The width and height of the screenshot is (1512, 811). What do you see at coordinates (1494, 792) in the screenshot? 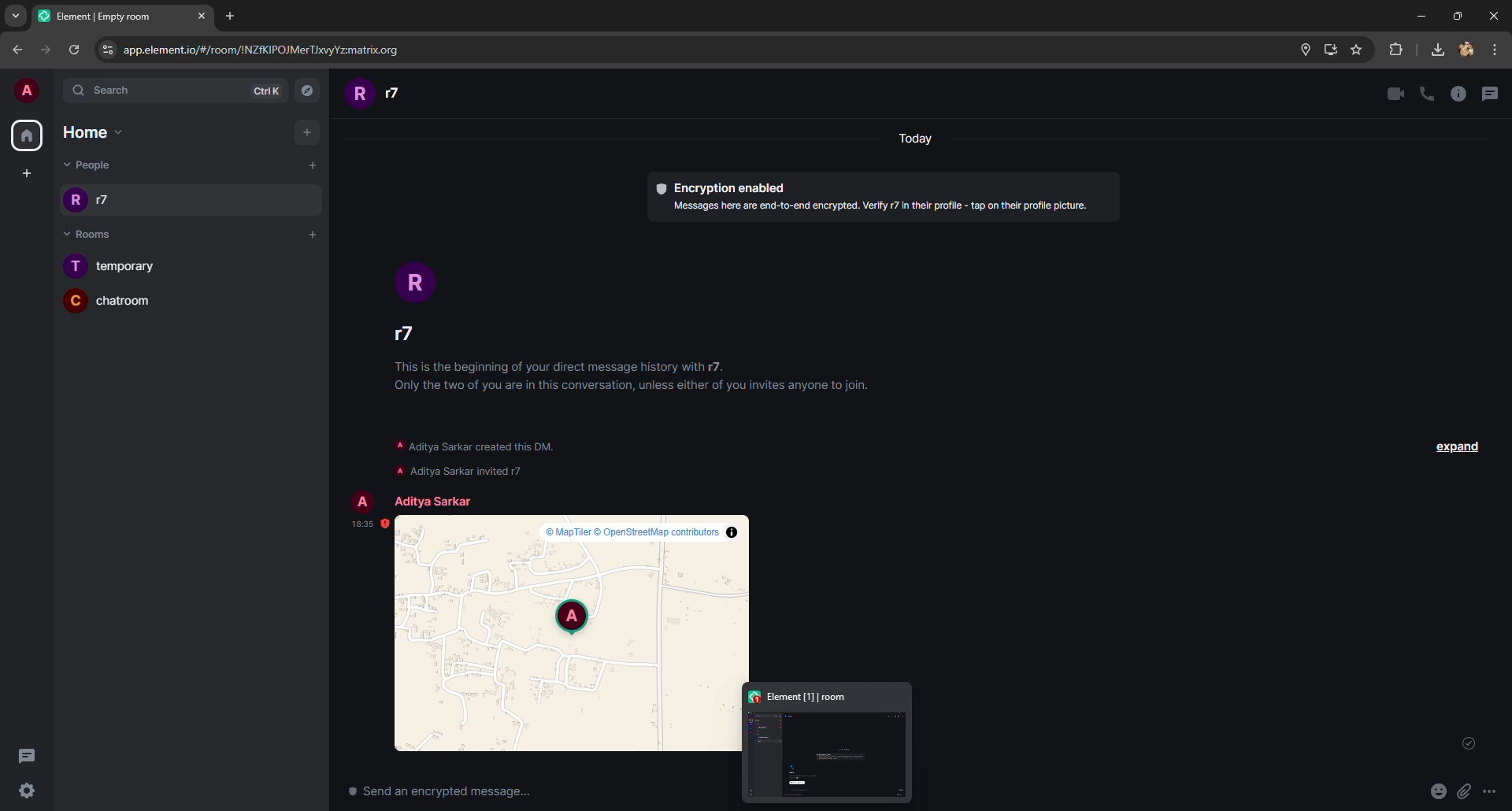
I see `options` at bounding box center [1494, 792].